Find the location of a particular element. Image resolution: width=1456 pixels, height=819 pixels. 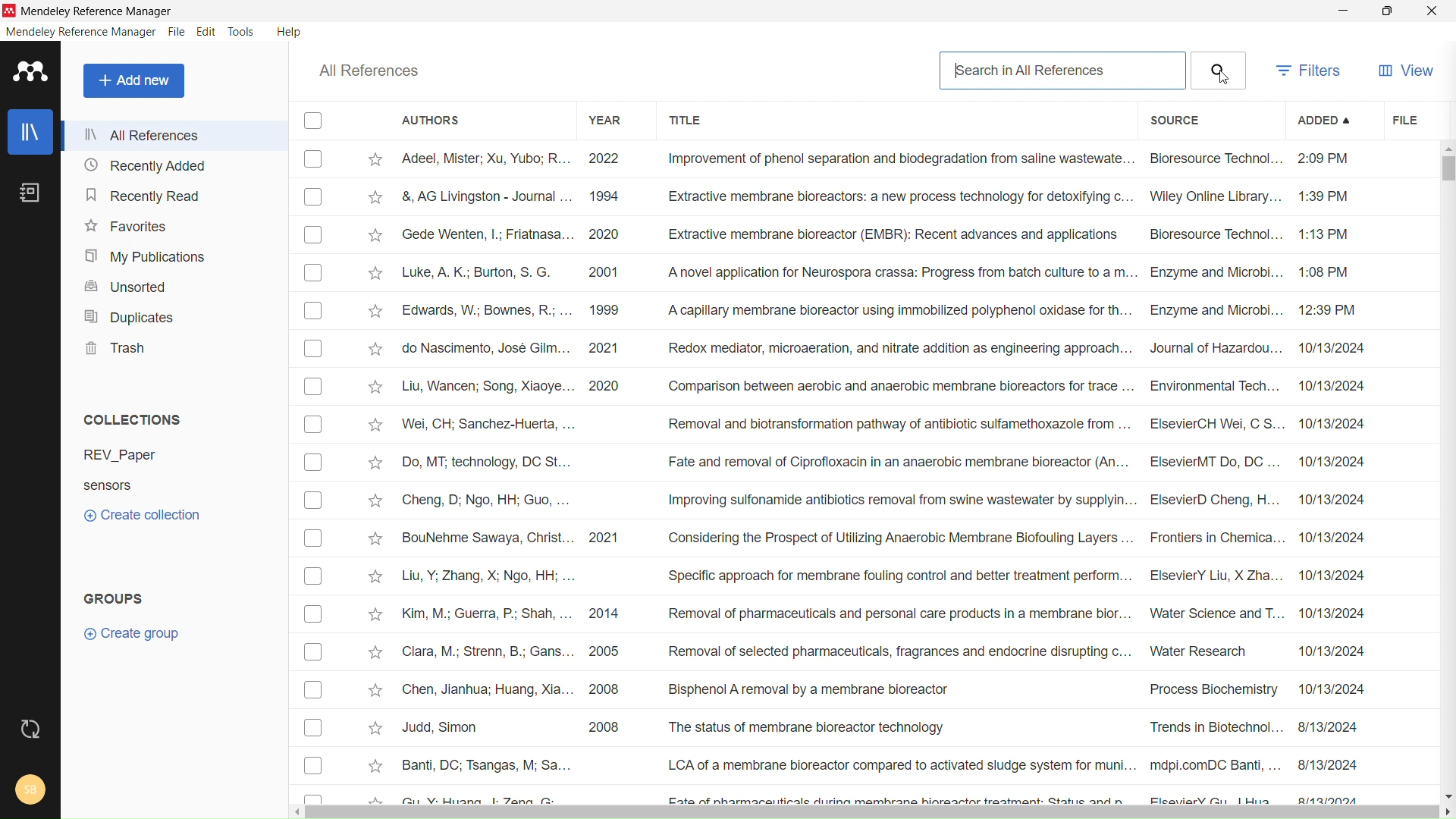

Add to favorites is located at coordinates (374, 196).